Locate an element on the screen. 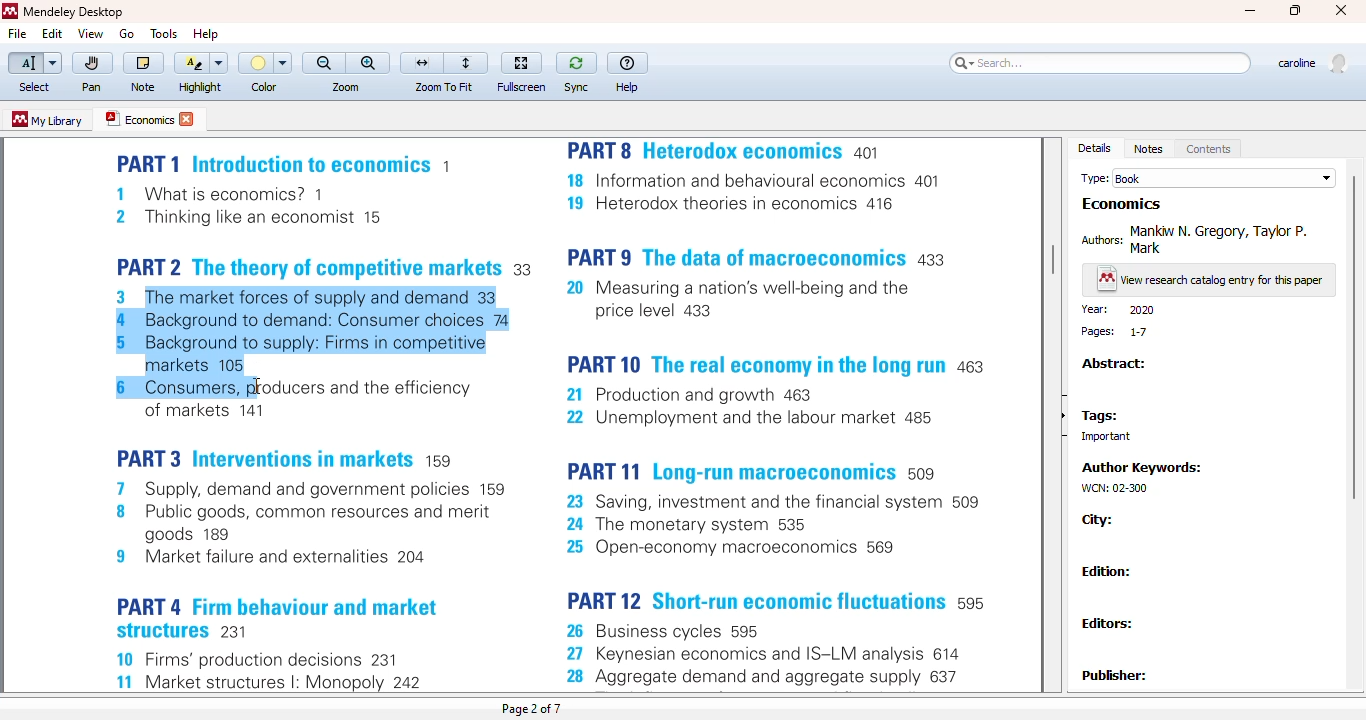 Image resolution: width=1366 pixels, height=720 pixels. edition is located at coordinates (1107, 571).